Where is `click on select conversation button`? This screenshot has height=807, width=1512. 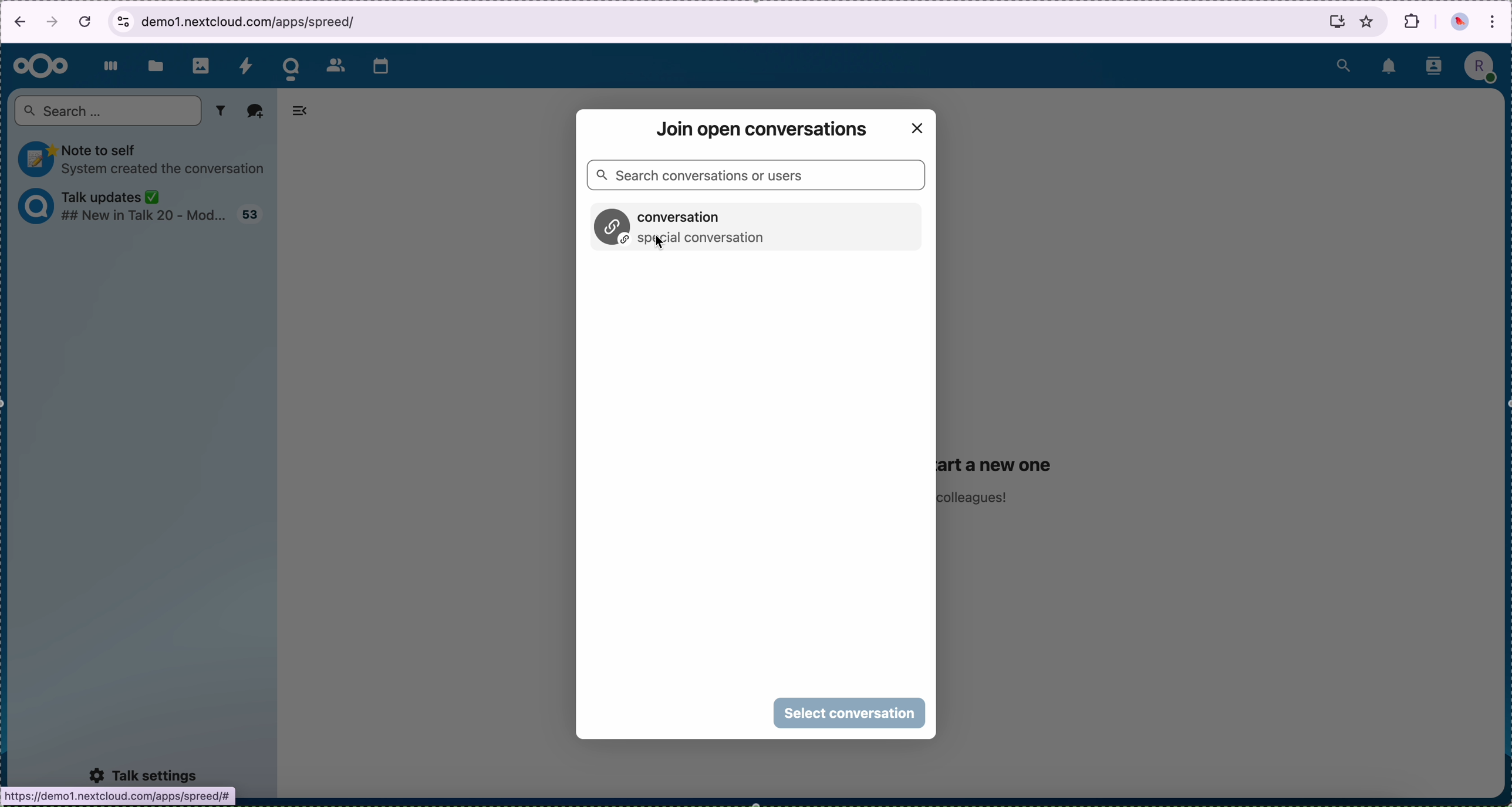 click on select conversation button is located at coordinates (849, 714).